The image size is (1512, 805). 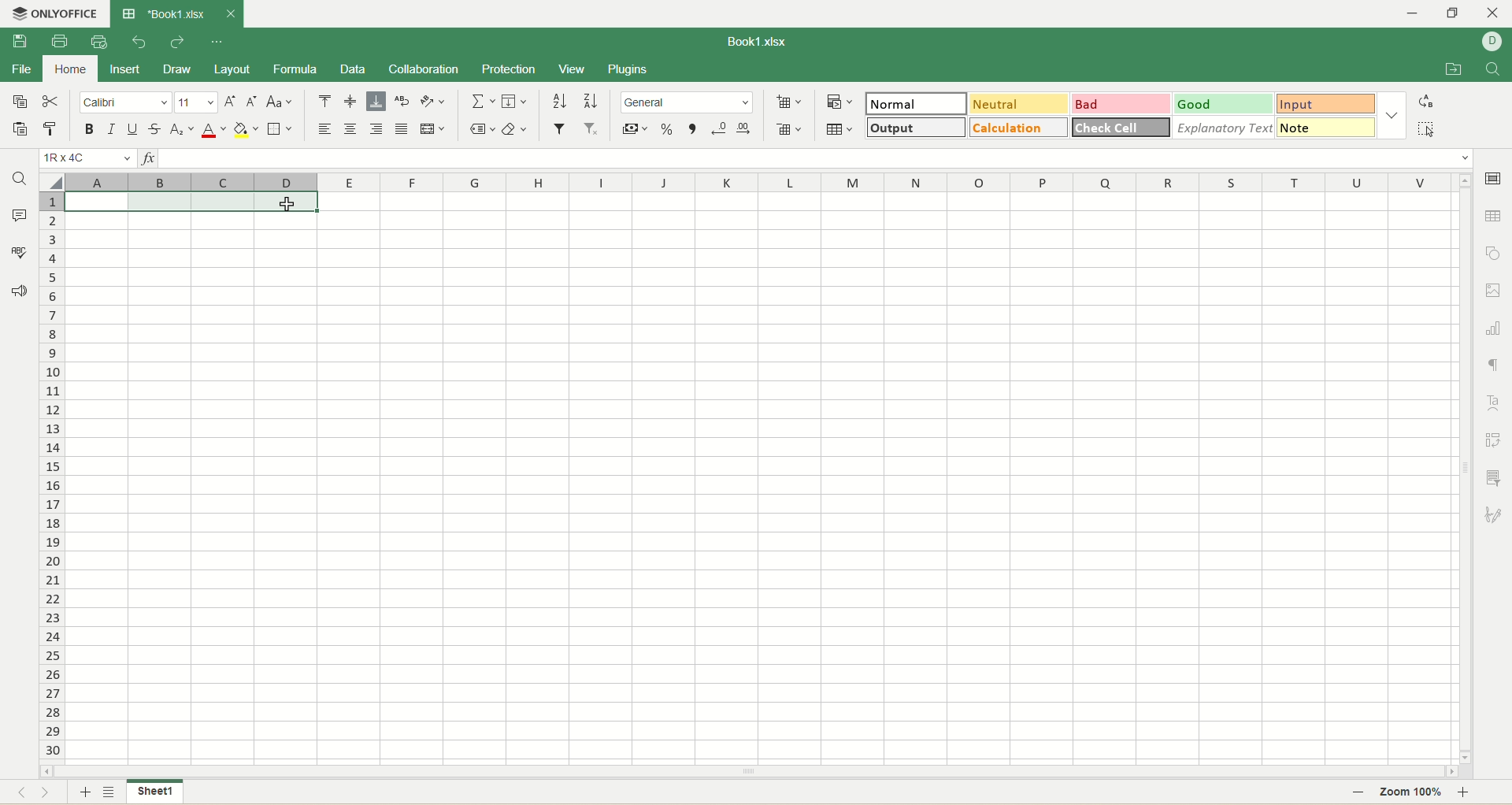 I want to click on vertical scroll bar, so click(x=1463, y=467).